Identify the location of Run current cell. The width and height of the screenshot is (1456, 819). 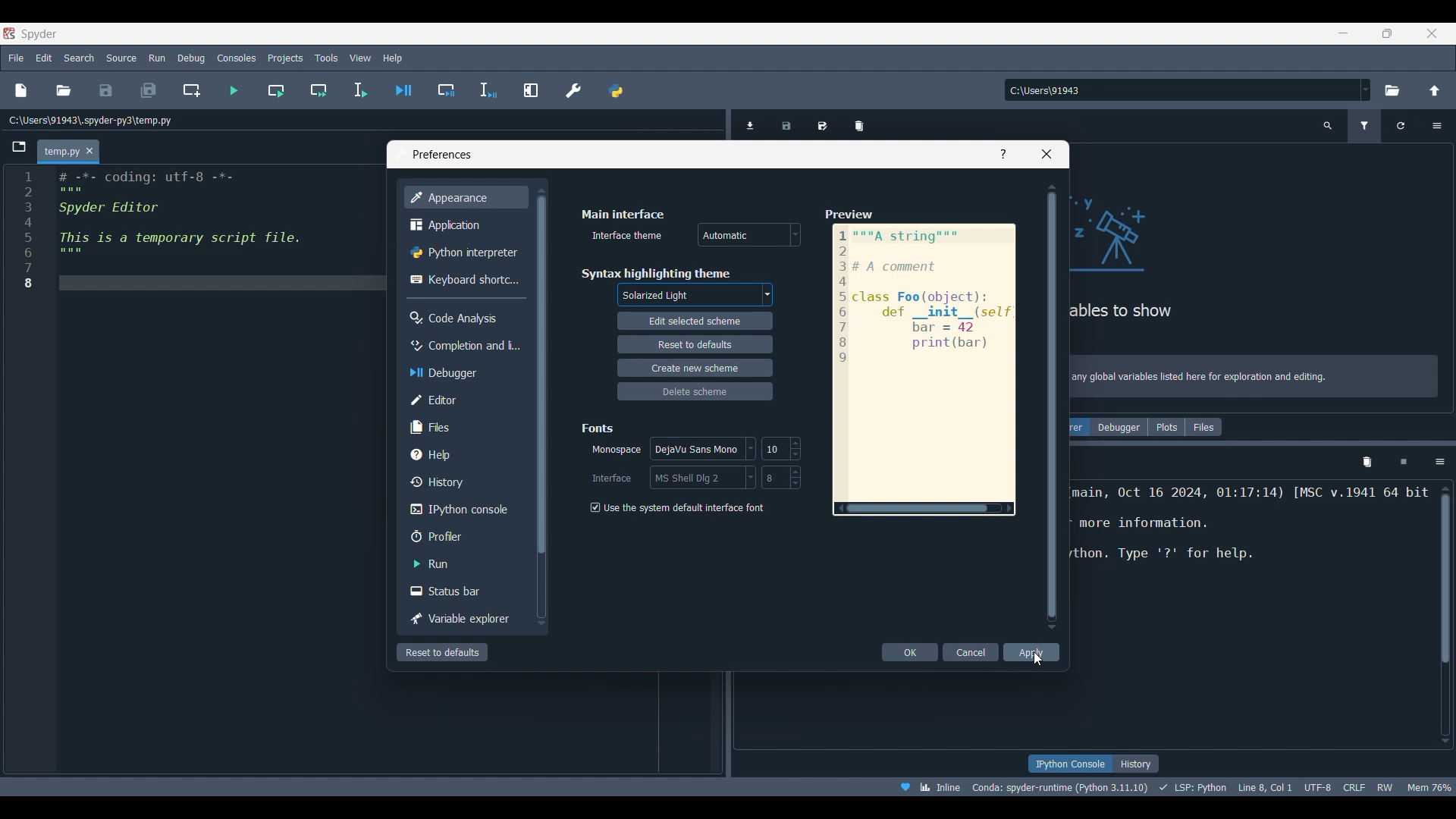
(275, 90).